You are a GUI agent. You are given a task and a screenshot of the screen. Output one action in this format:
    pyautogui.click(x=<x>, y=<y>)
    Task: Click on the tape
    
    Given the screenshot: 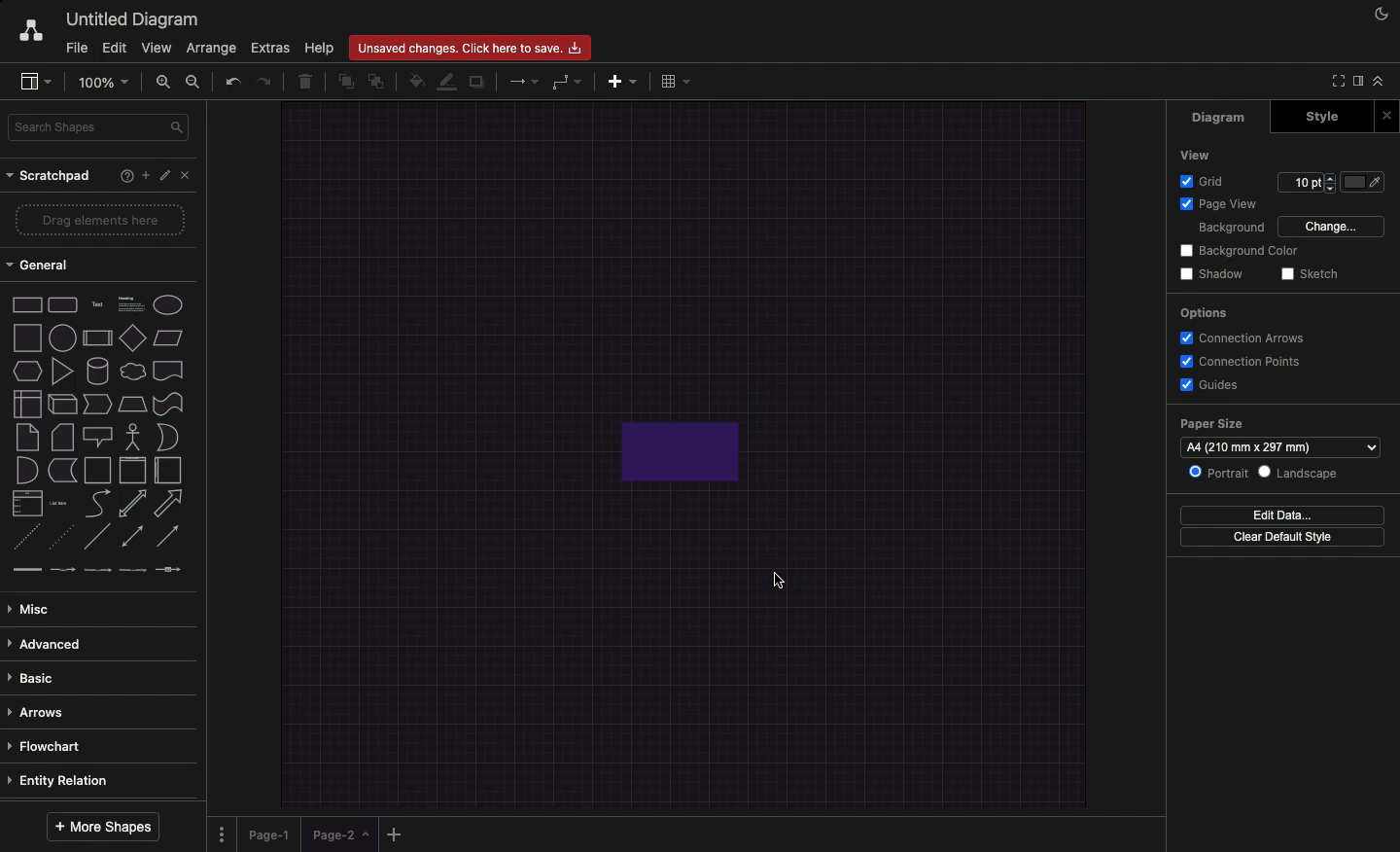 What is the action you would take?
    pyautogui.click(x=166, y=404)
    